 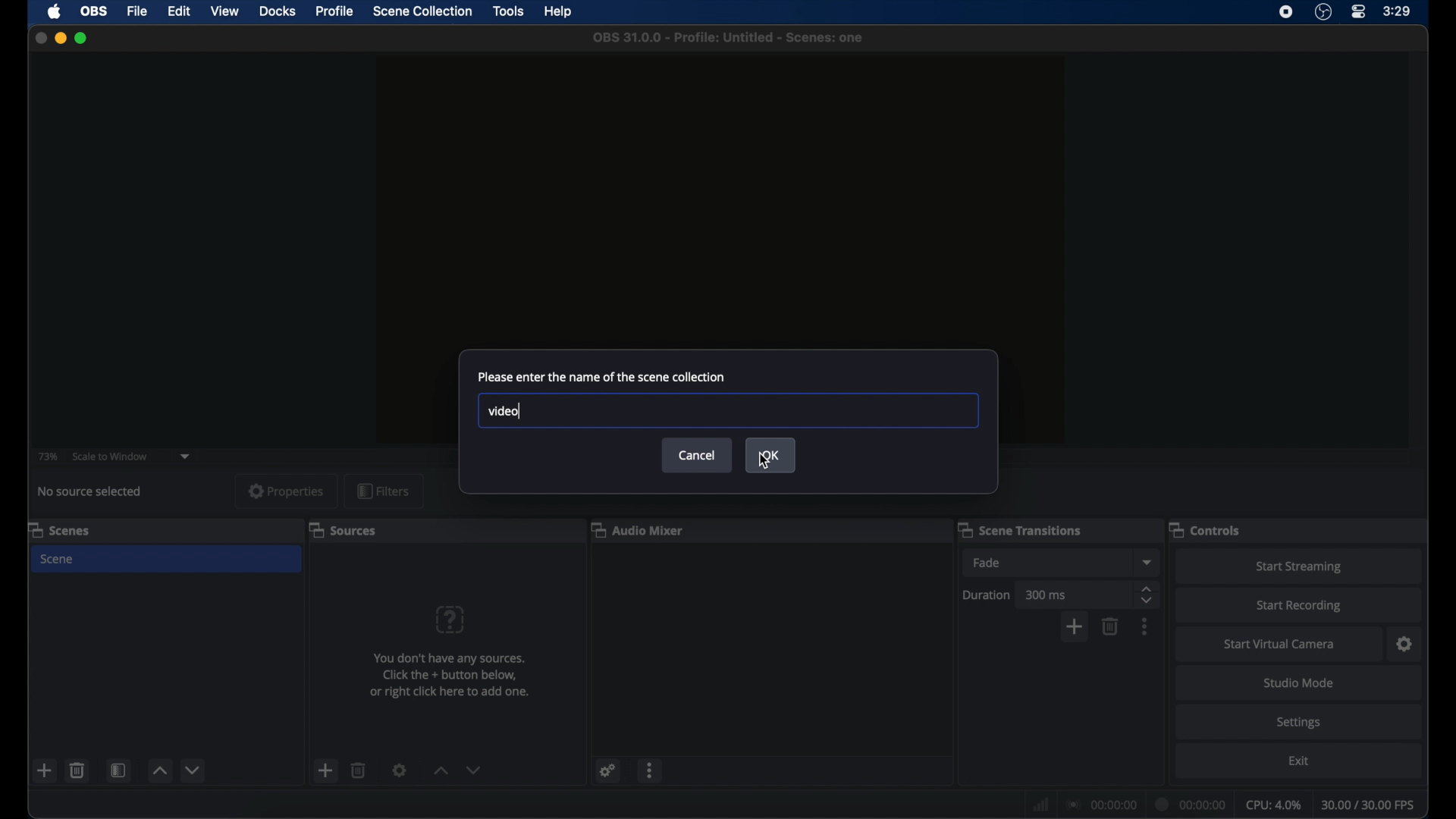 What do you see at coordinates (186, 455) in the screenshot?
I see `dropdown` at bounding box center [186, 455].